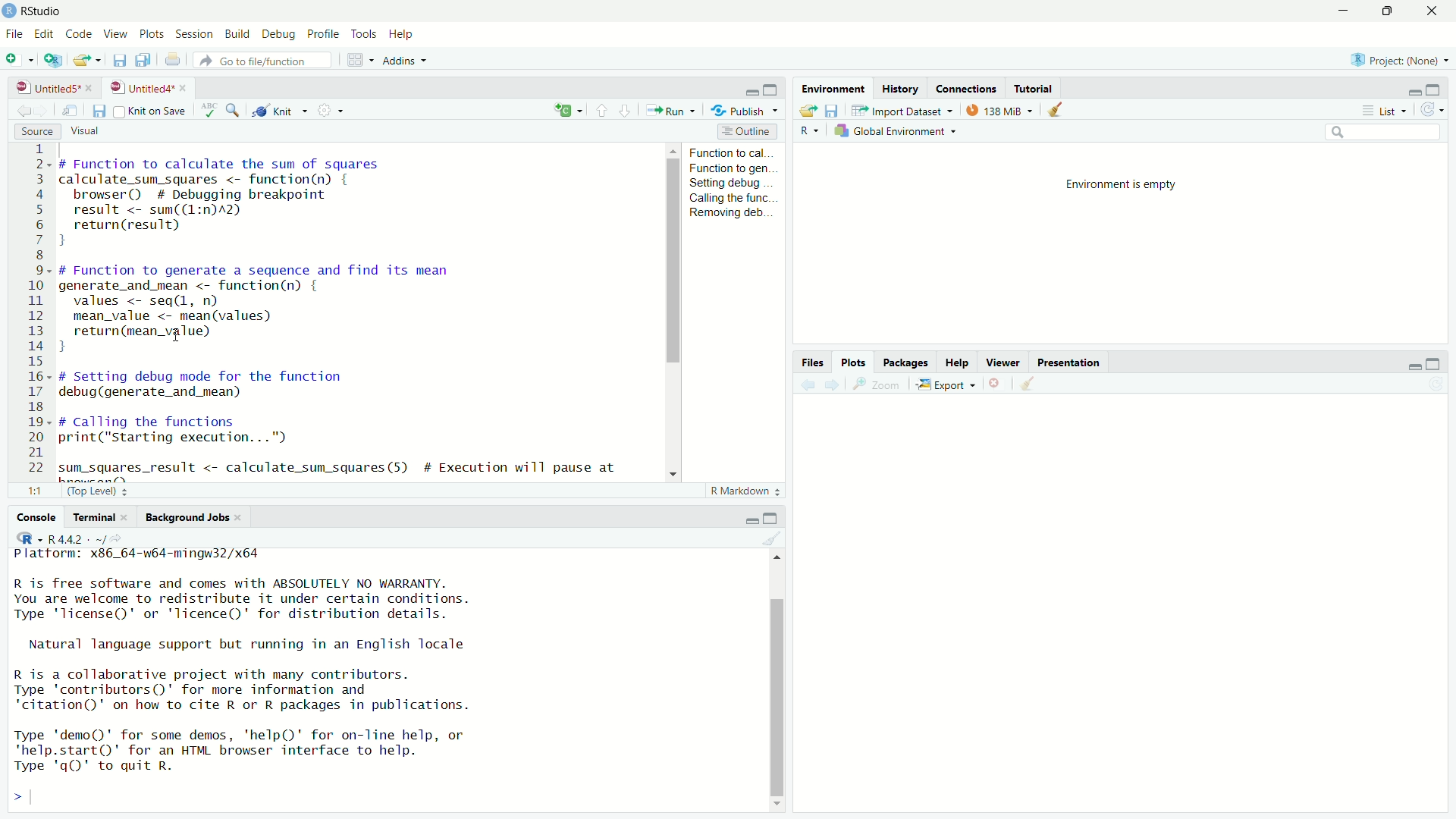 This screenshot has width=1456, height=819. What do you see at coordinates (899, 133) in the screenshot?
I see `global environment` at bounding box center [899, 133].